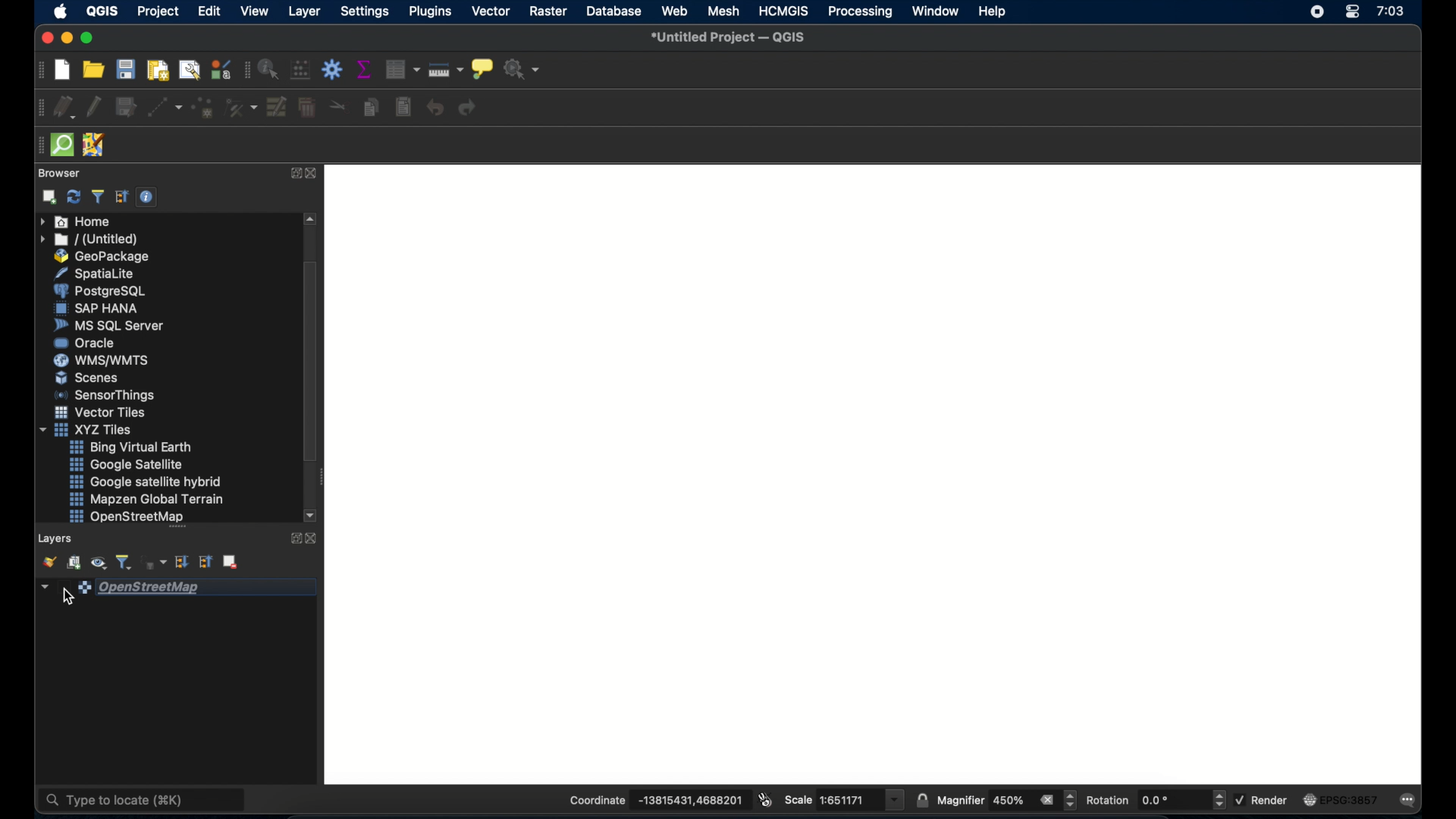 This screenshot has width=1456, height=819. What do you see at coordinates (435, 108) in the screenshot?
I see `undo` at bounding box center [435, 108].